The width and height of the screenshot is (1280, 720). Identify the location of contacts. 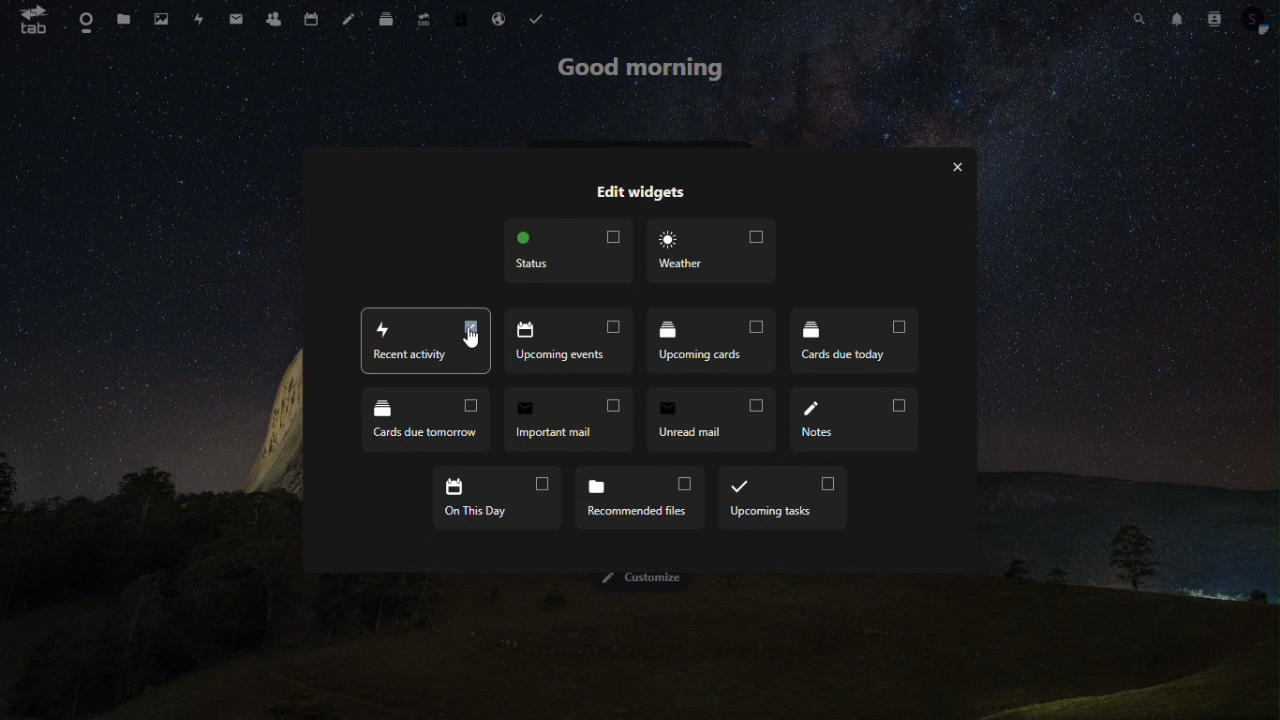
(1213, 20).